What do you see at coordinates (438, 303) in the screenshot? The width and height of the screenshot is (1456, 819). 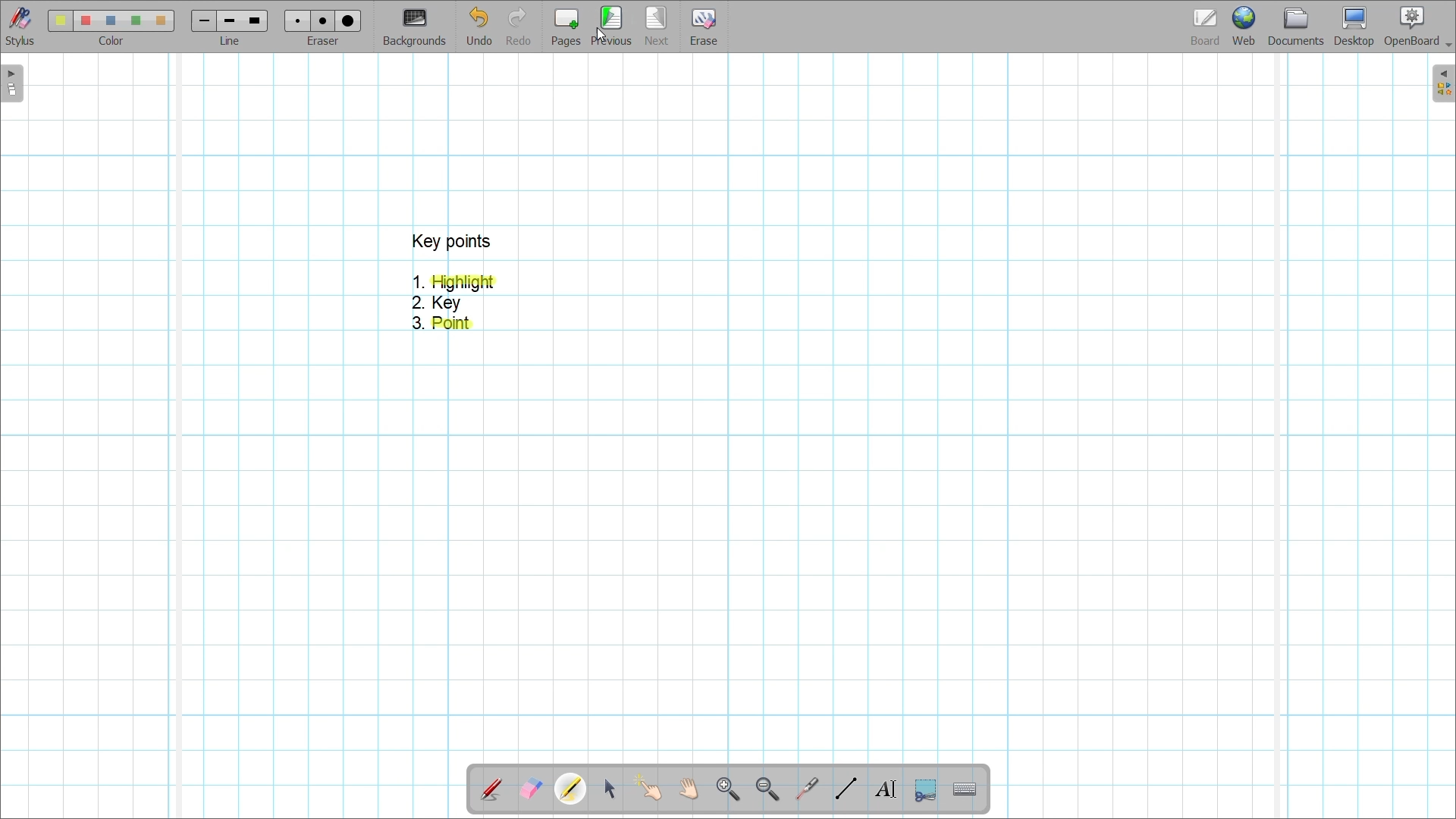 I see `2. Key` at bounding box center [438, 303].